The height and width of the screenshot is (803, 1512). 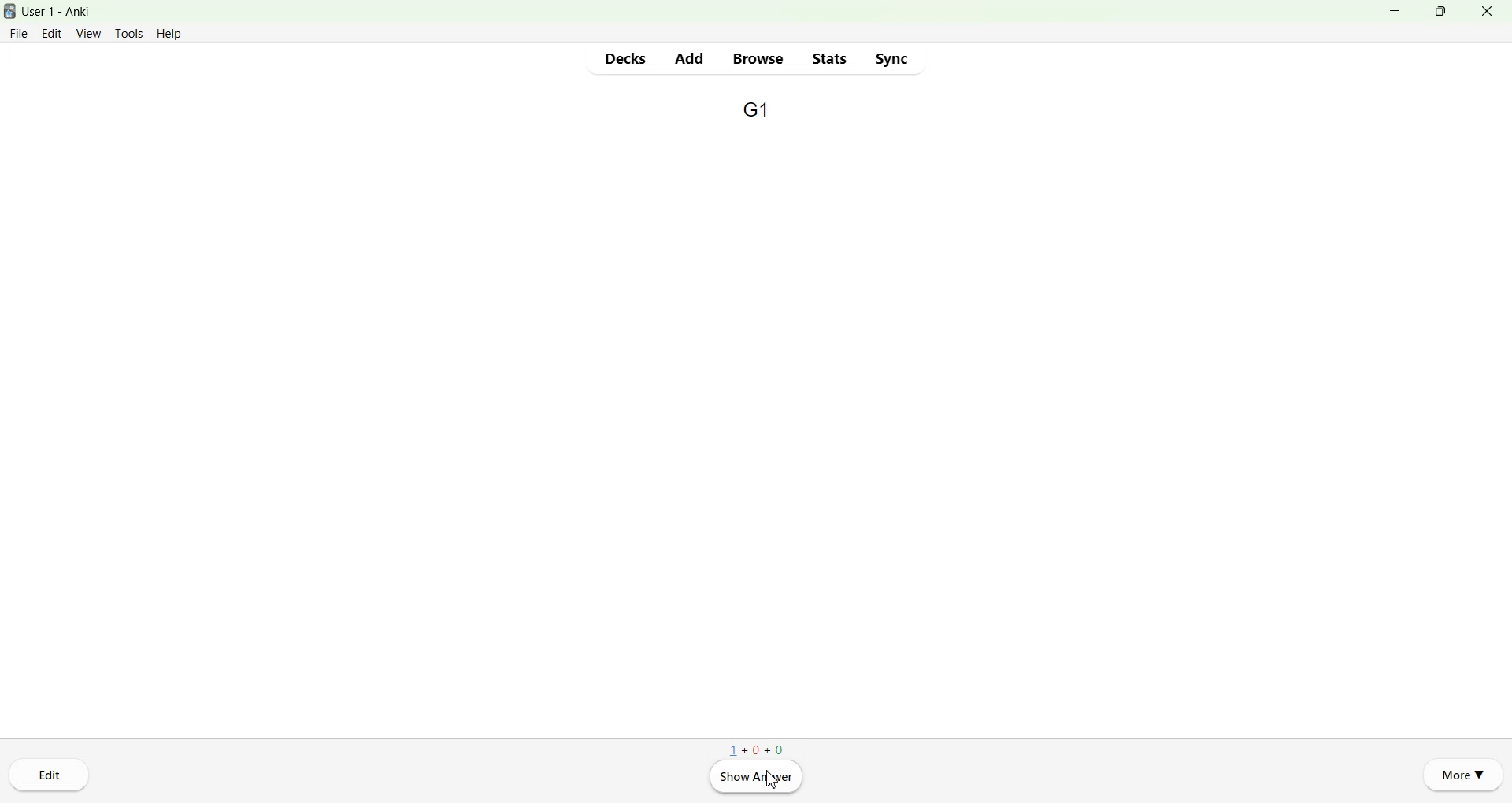 What do you see at coordinates (759, 59) in the screenshot?
I see `Browse` at bounding box center [759, 59].